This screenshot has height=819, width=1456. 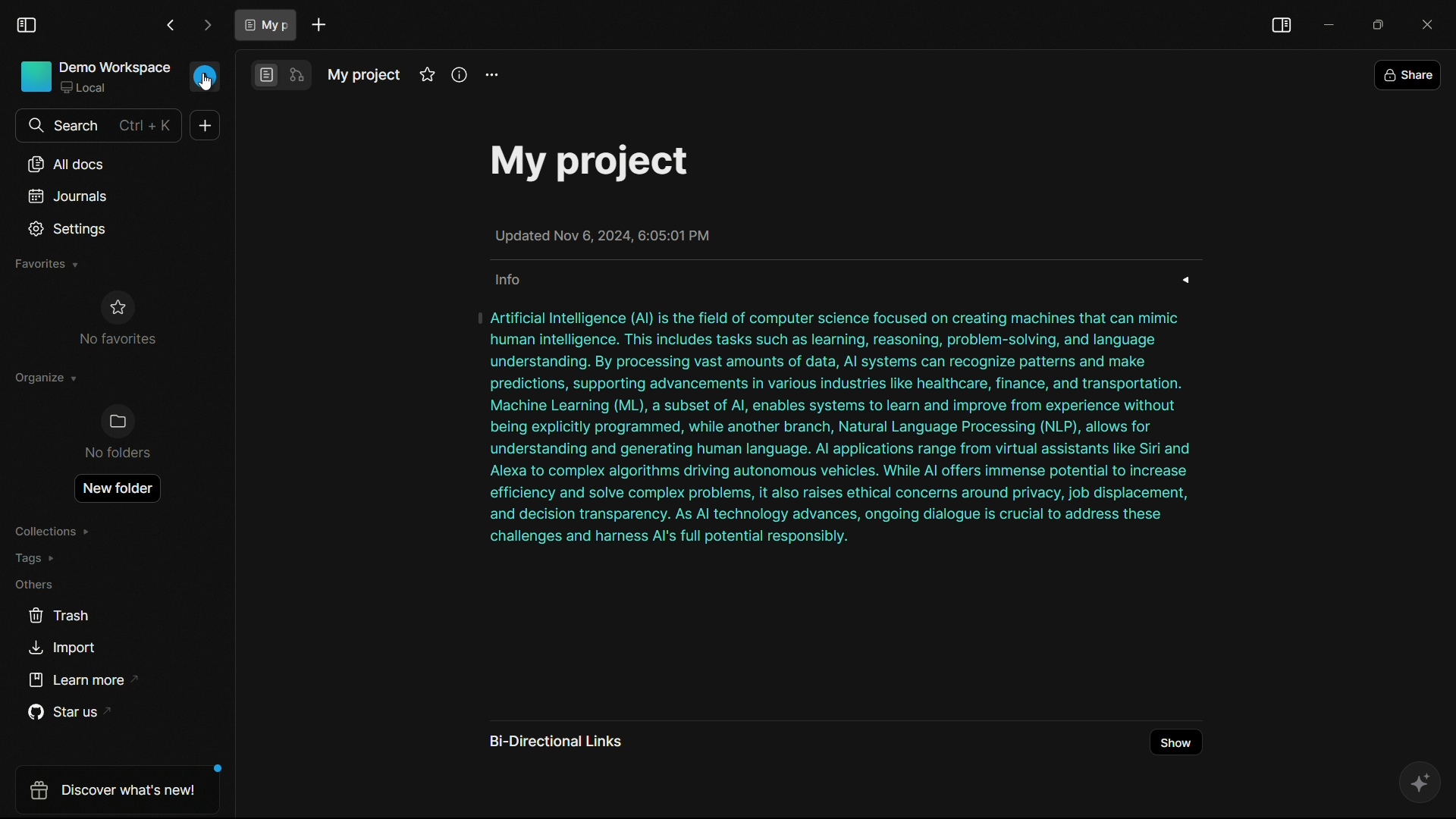 I want to click on ai assistant, so click(x=1423, y=785).